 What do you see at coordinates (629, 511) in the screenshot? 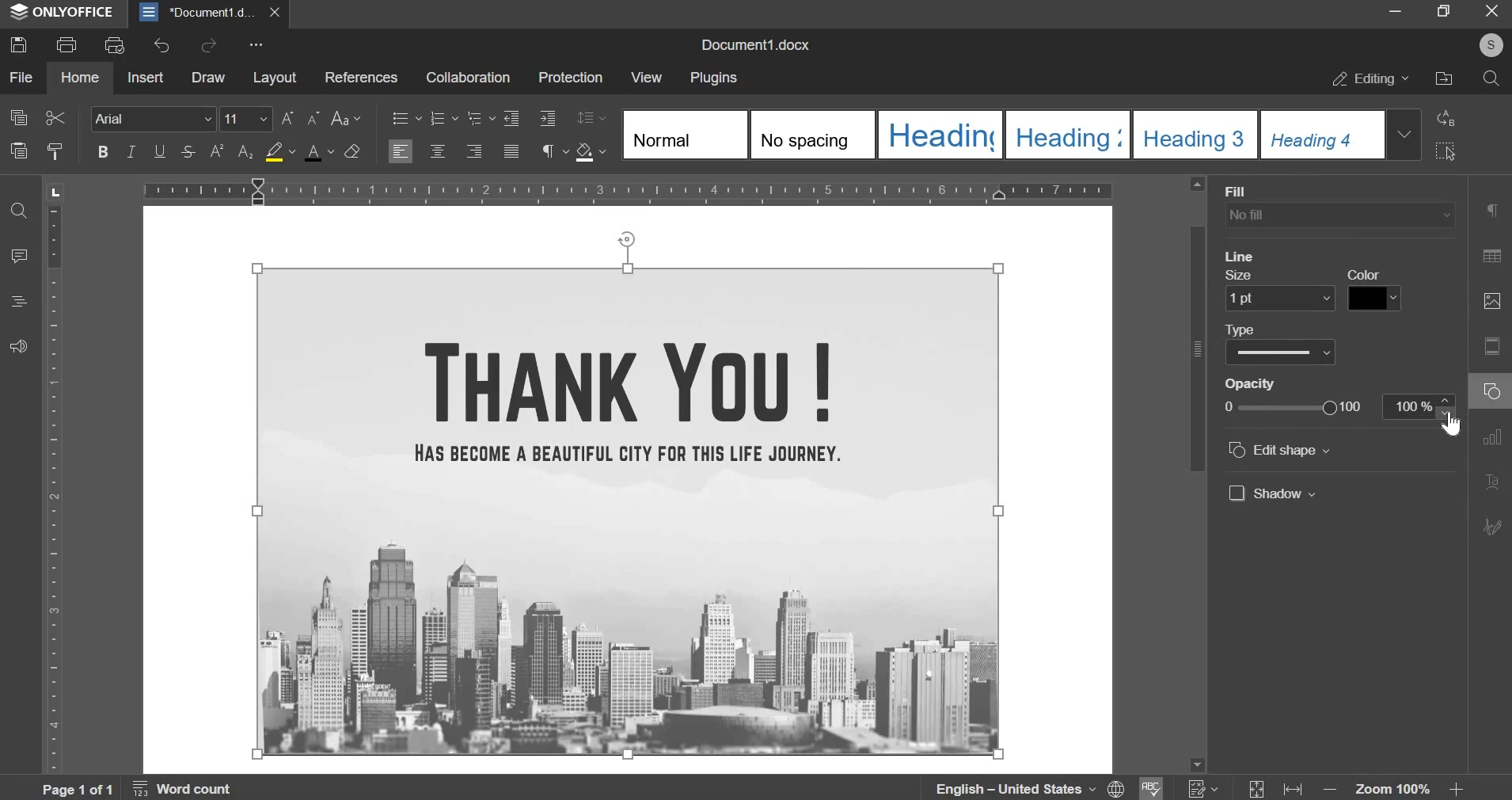
I see `image` at bounding box center [629, 511].